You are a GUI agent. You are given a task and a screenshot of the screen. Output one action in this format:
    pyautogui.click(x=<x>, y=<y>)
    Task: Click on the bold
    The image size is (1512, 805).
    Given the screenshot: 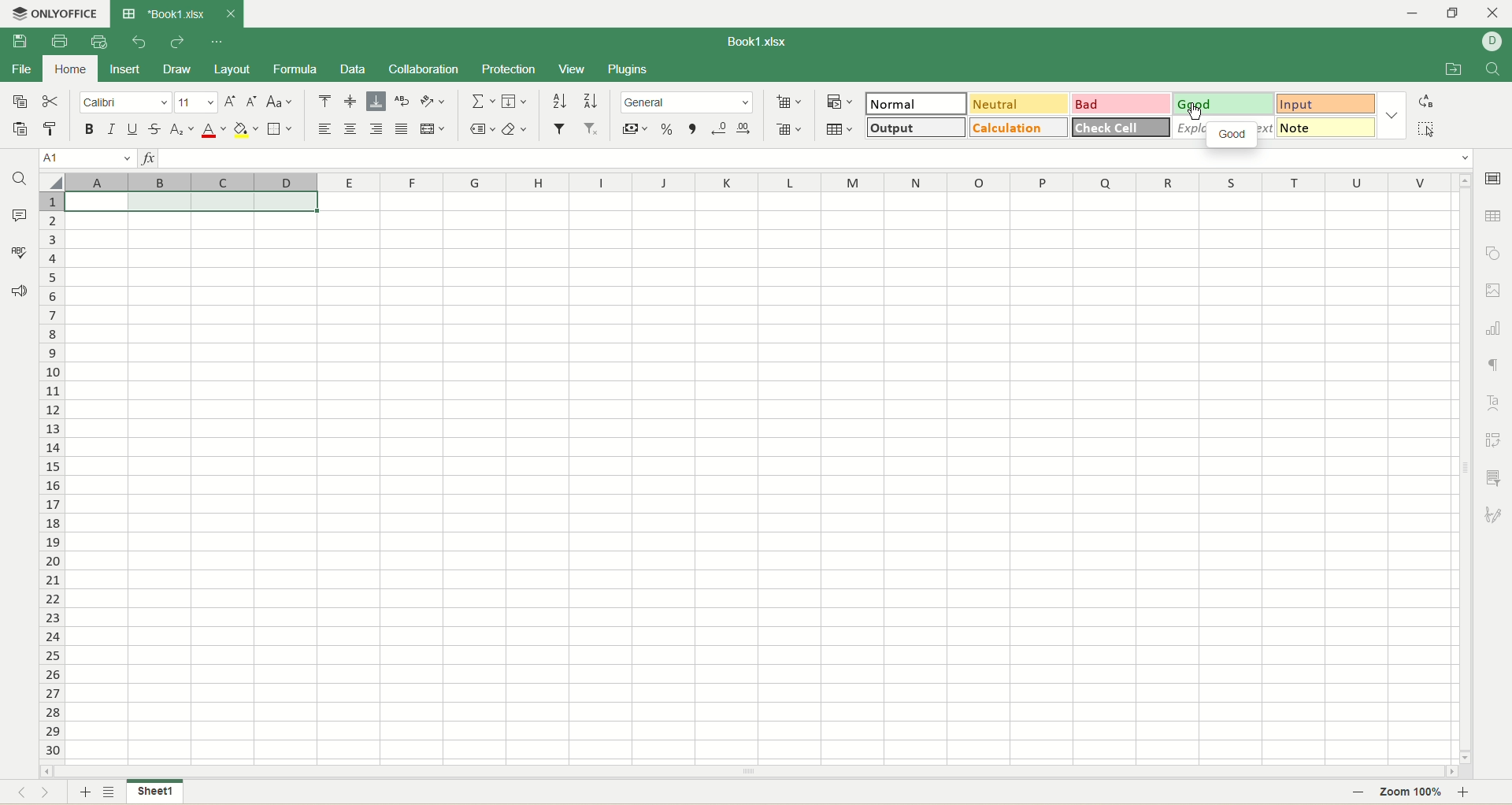 What is the action you would take?
    pyautogui.click(x=90, y=128)
    